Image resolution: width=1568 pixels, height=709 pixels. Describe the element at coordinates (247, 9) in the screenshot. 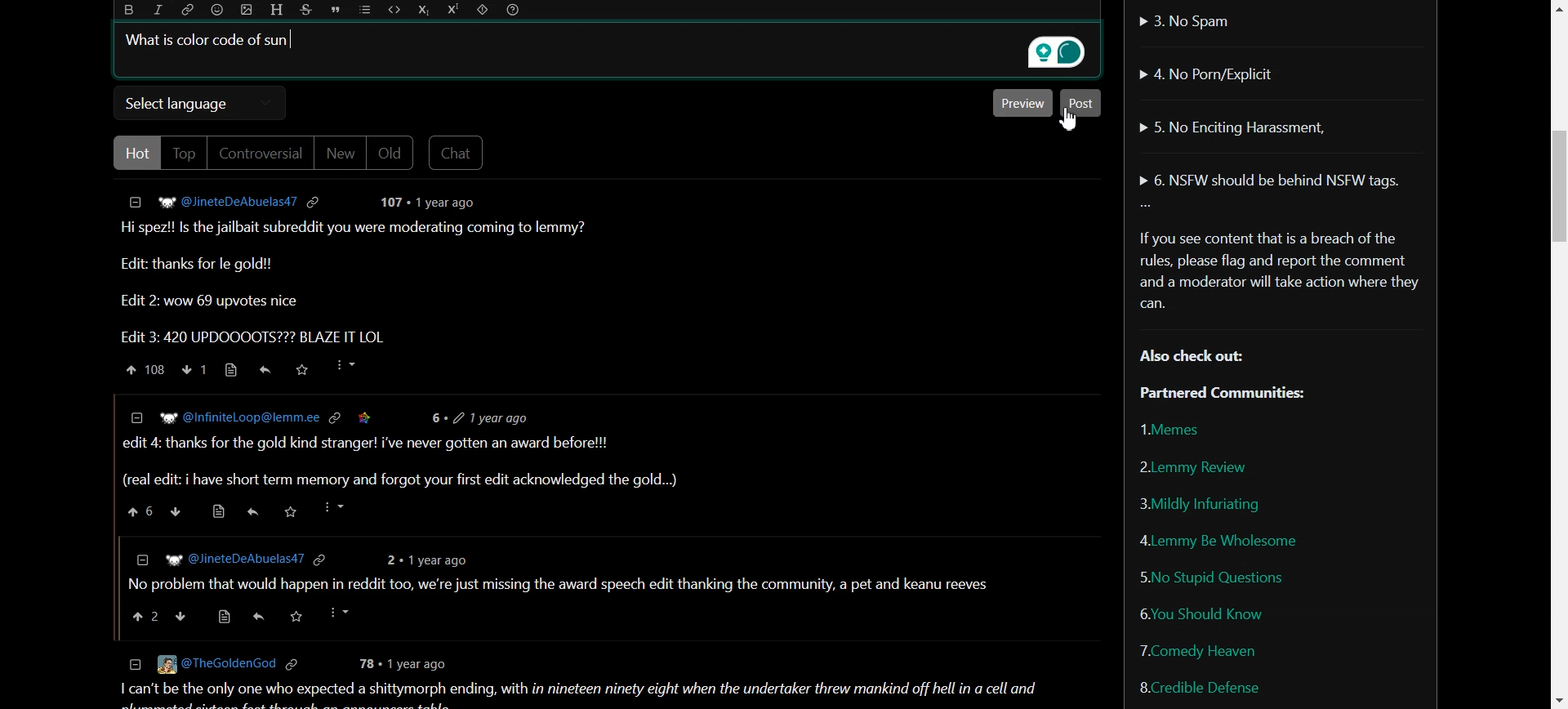

I see `Upload photo` at that location.